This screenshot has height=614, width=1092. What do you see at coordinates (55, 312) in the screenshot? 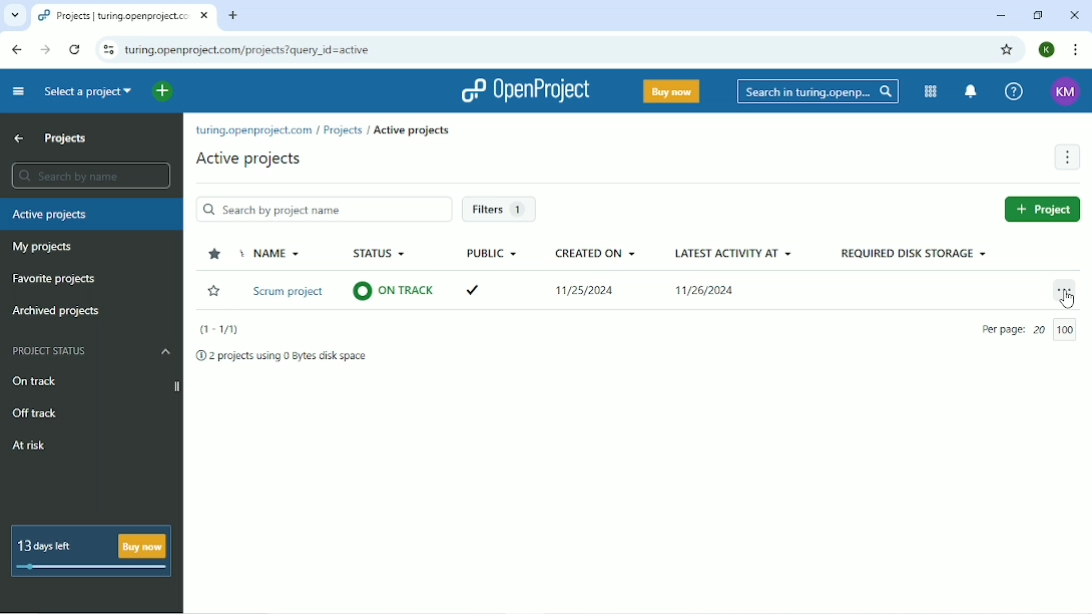
I see `Archived projects` at bounding box center [55, 312].